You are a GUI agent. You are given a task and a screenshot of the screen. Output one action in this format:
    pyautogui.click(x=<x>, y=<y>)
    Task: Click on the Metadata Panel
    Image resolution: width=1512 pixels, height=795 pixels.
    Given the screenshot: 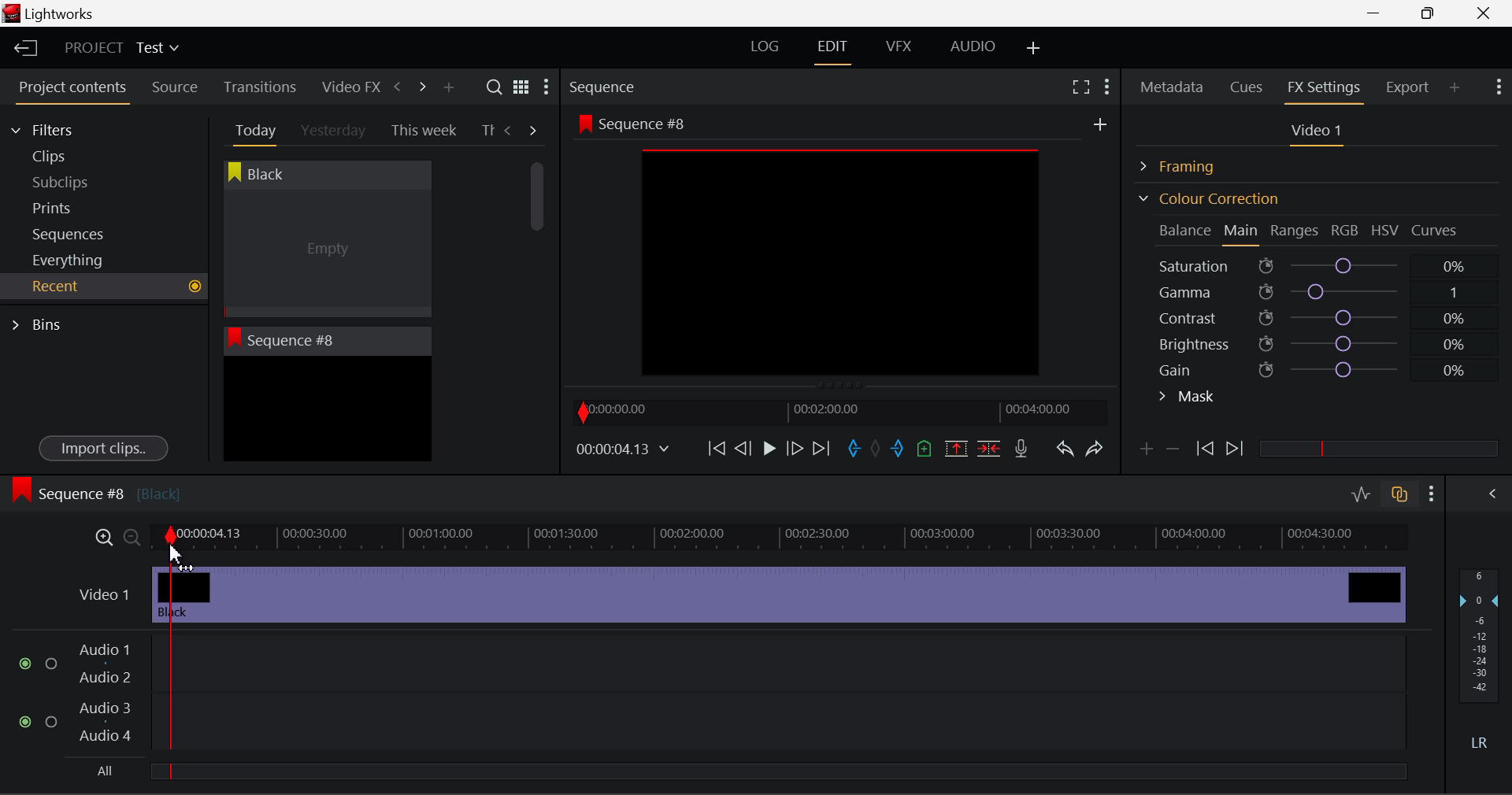 What is the action you would take?
    pyautogui.click(x=1173, y=84)
    